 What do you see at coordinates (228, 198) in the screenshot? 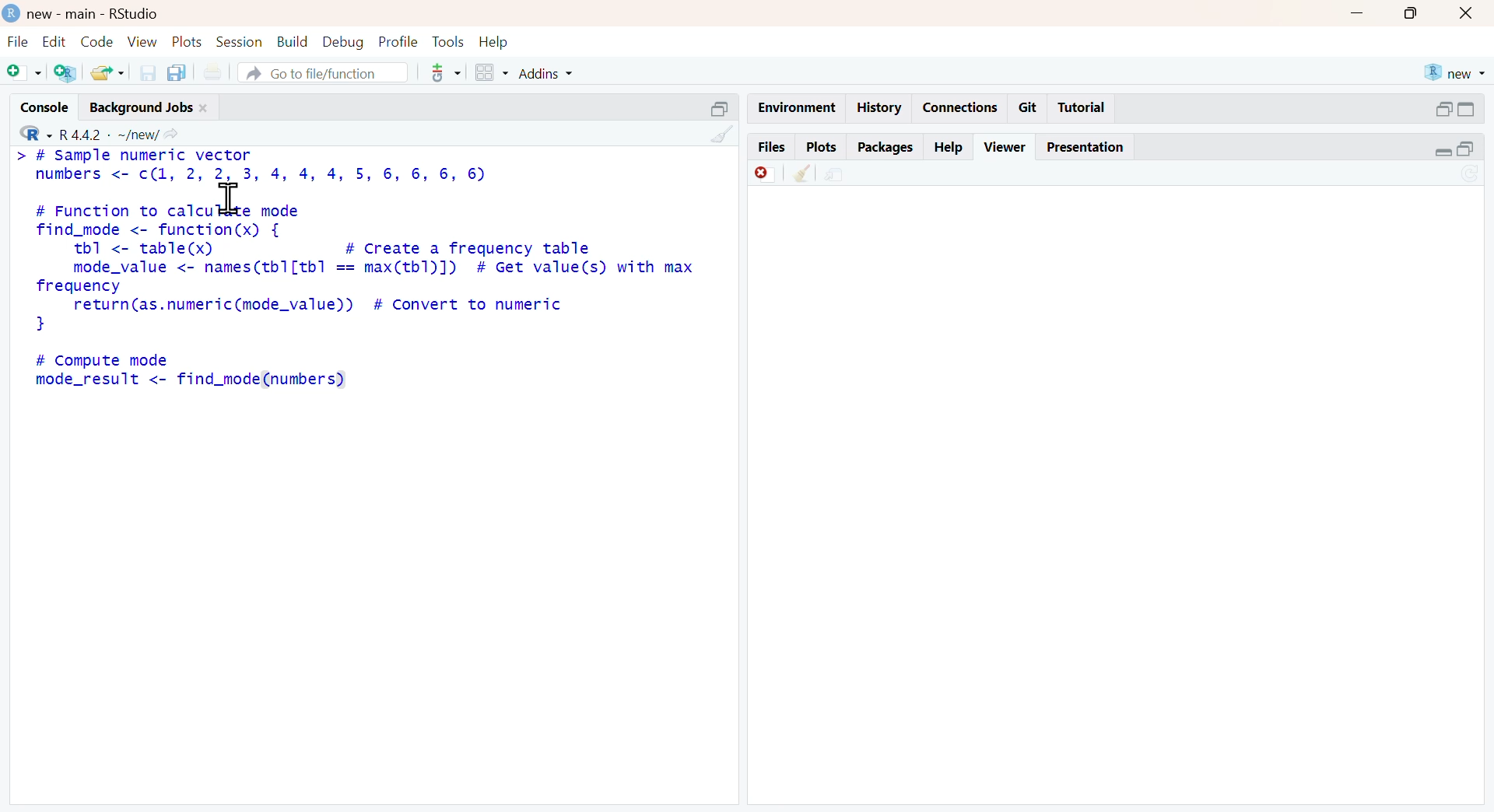
I see `cursor` at bounding box center [228, 198].